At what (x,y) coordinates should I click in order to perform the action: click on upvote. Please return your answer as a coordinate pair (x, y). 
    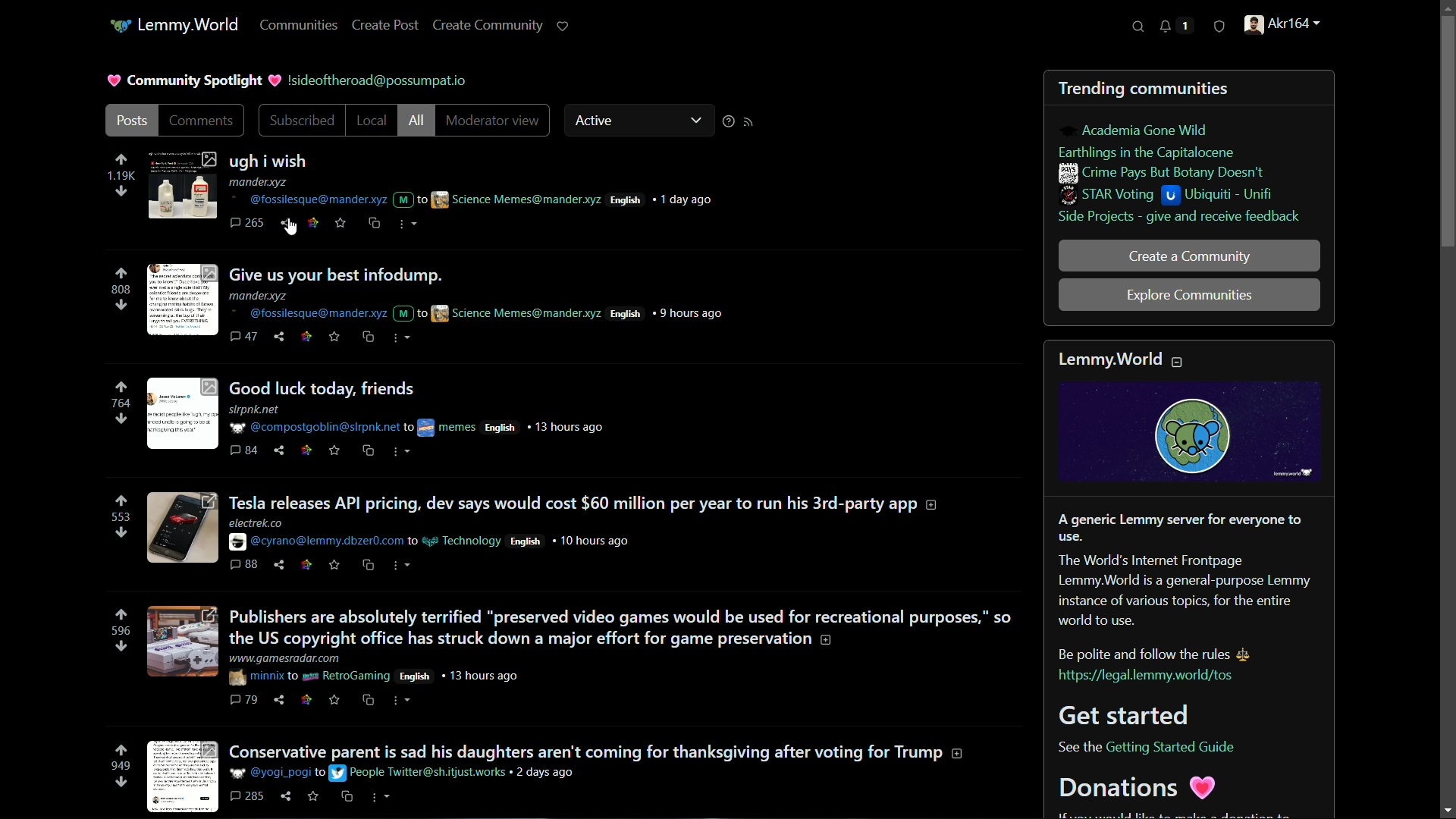
    Looking at the image, I should click on (121, 752).